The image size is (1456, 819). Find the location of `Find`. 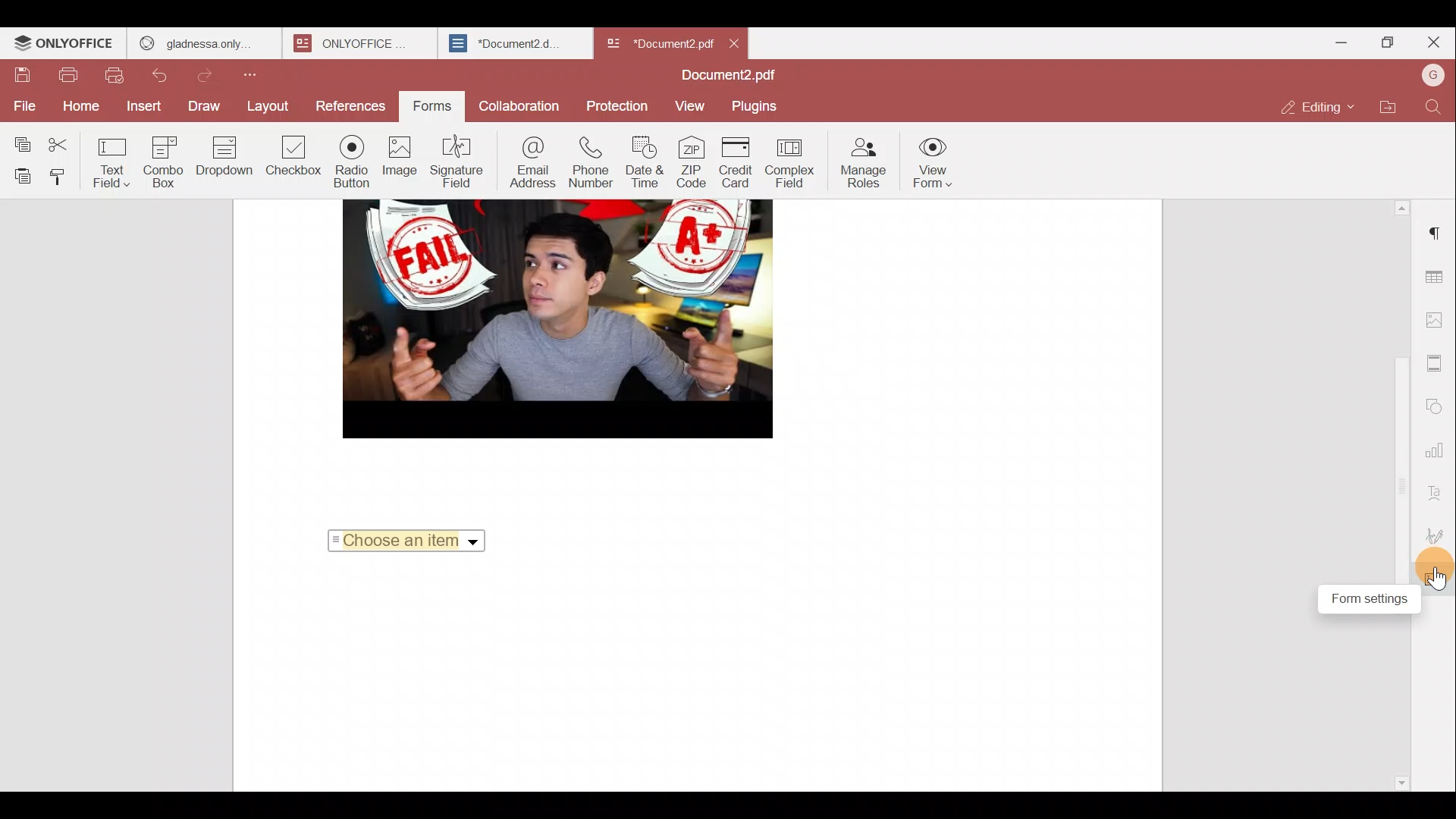

Find is located at coordinates (1433, 110).